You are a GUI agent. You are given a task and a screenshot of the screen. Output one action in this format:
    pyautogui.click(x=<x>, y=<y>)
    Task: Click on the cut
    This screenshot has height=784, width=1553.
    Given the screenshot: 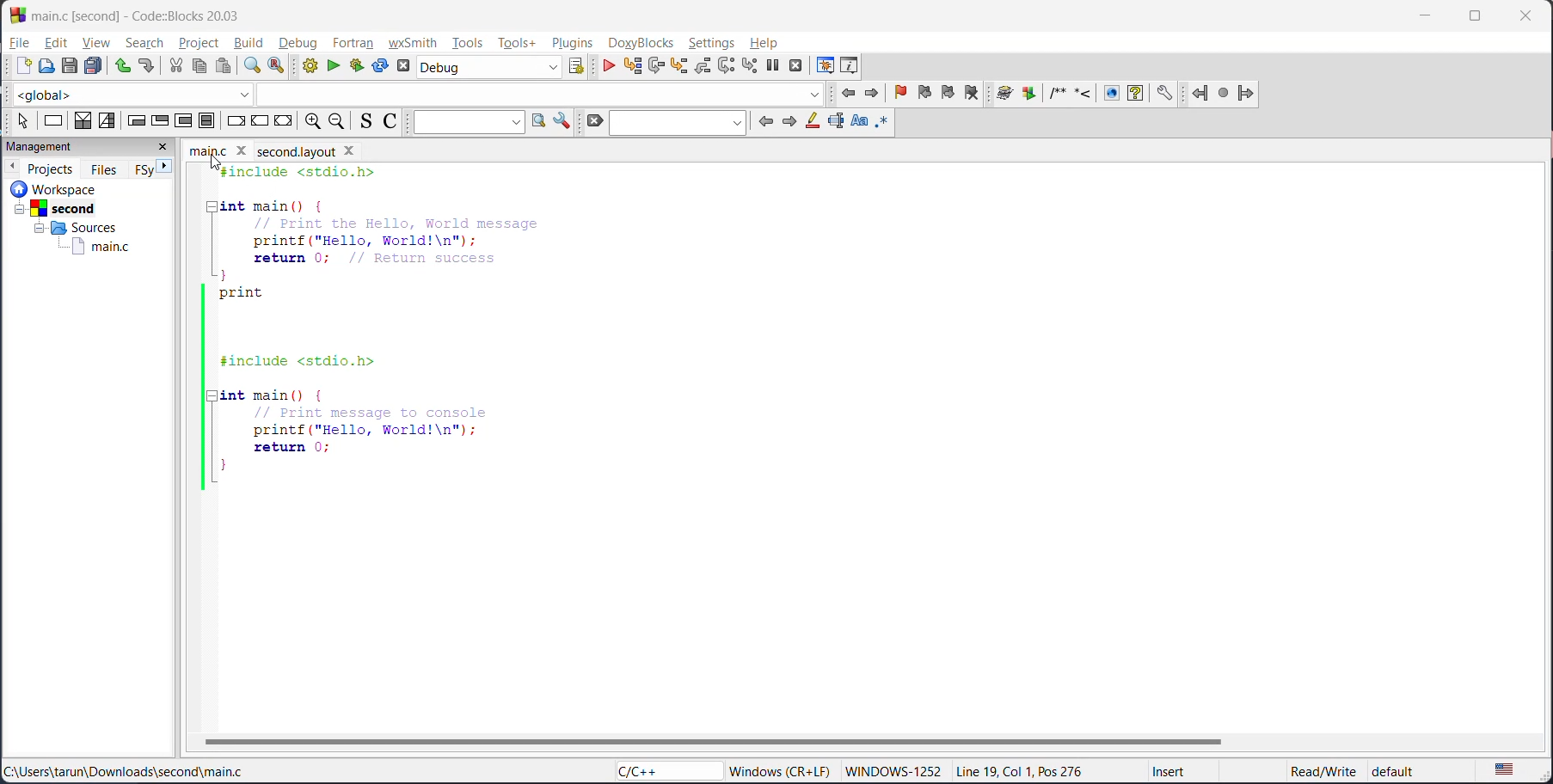 What is the action you would take?
    pyautogui.click(x=177, y=67)
    